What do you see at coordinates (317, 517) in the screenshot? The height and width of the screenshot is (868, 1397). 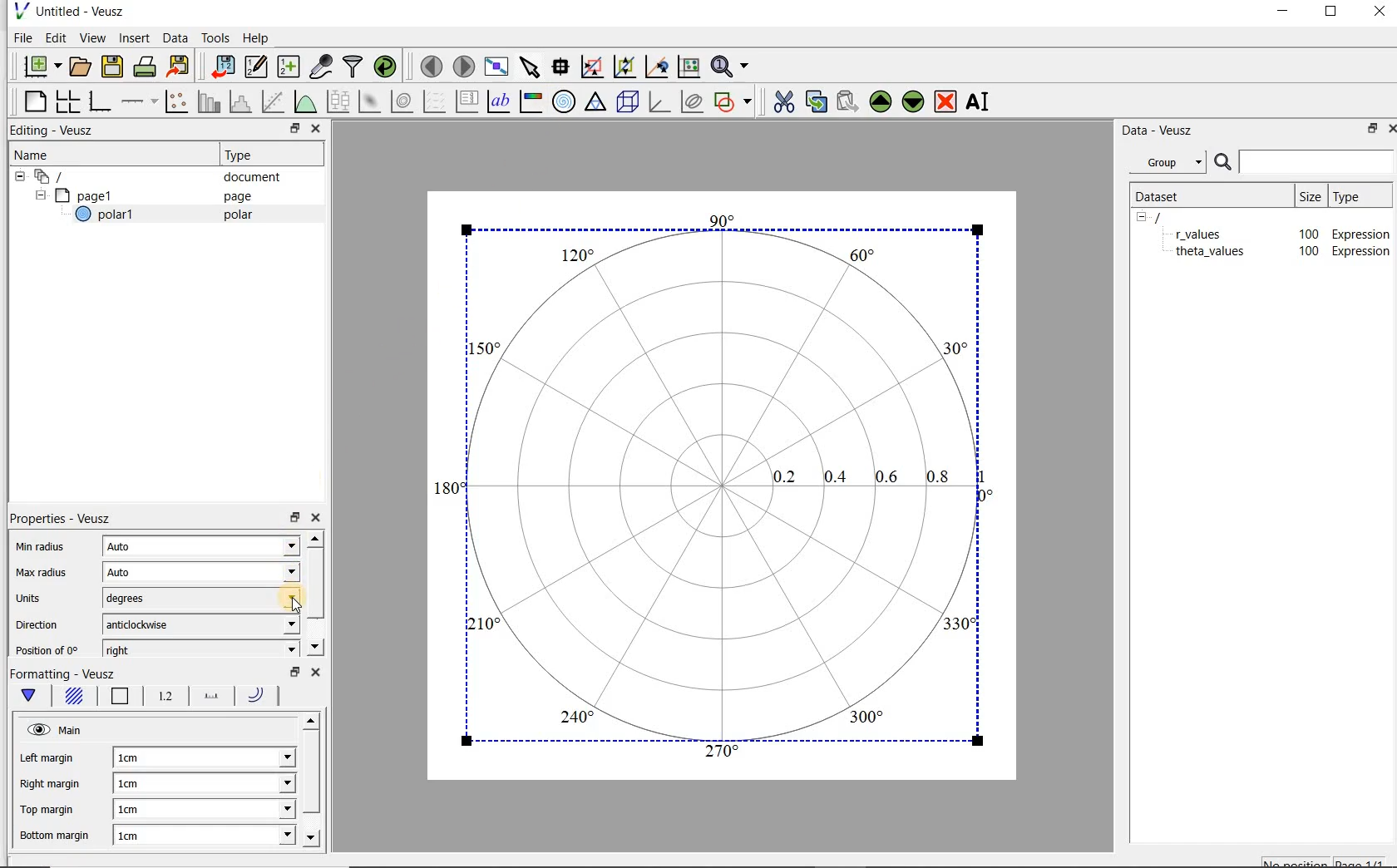 I see `close` at bounding box center [317, 517].